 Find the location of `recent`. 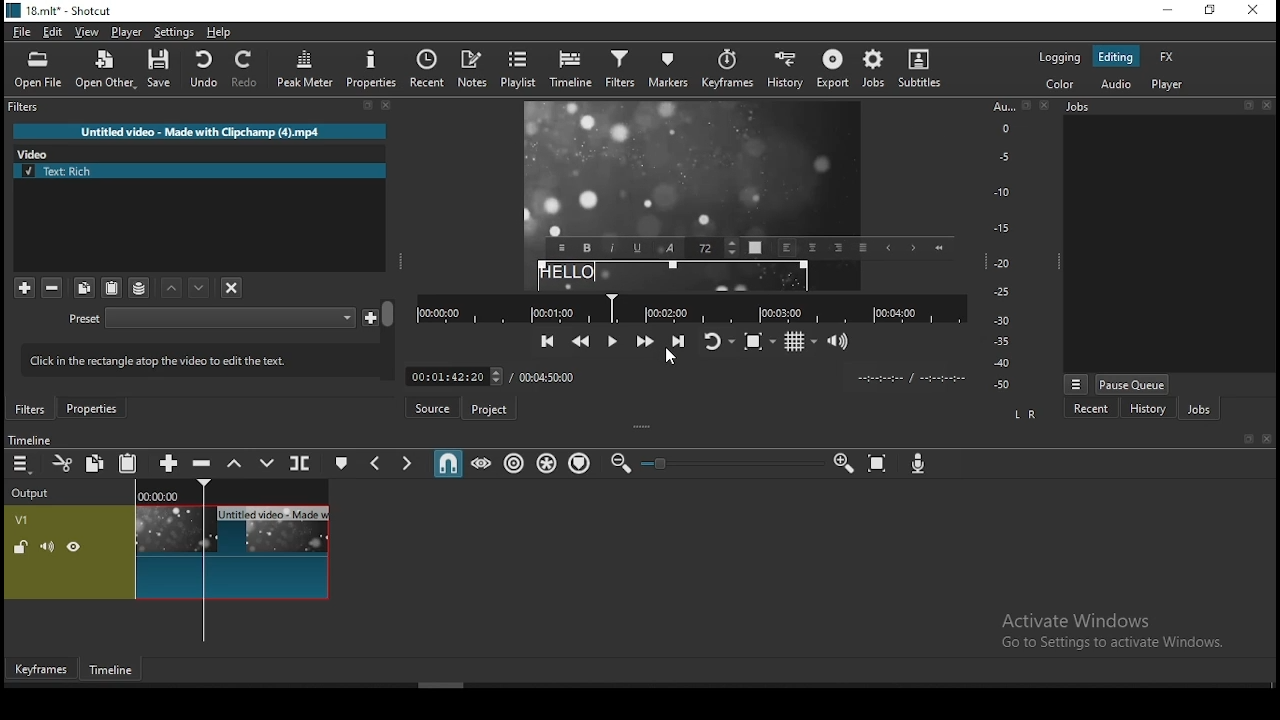

recent is located at coordinates (1092, 408).